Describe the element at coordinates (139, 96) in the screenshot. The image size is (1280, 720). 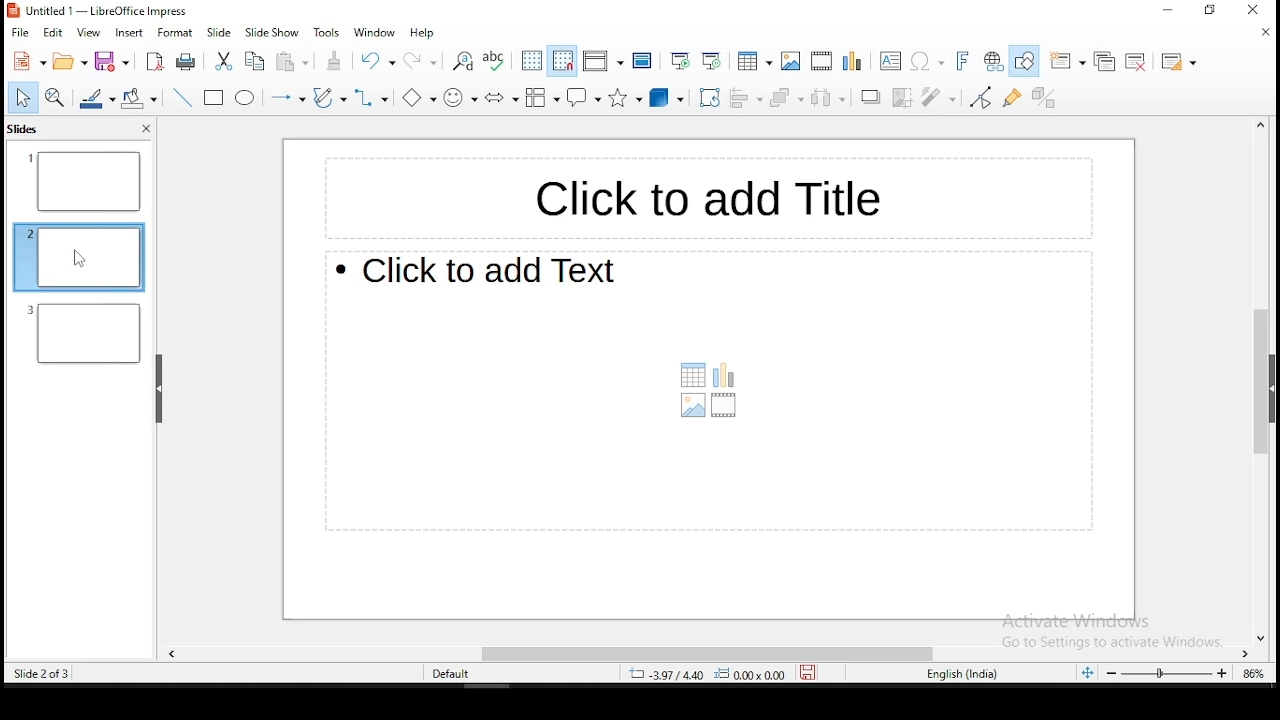
I see `paint bucket tool` at that location.